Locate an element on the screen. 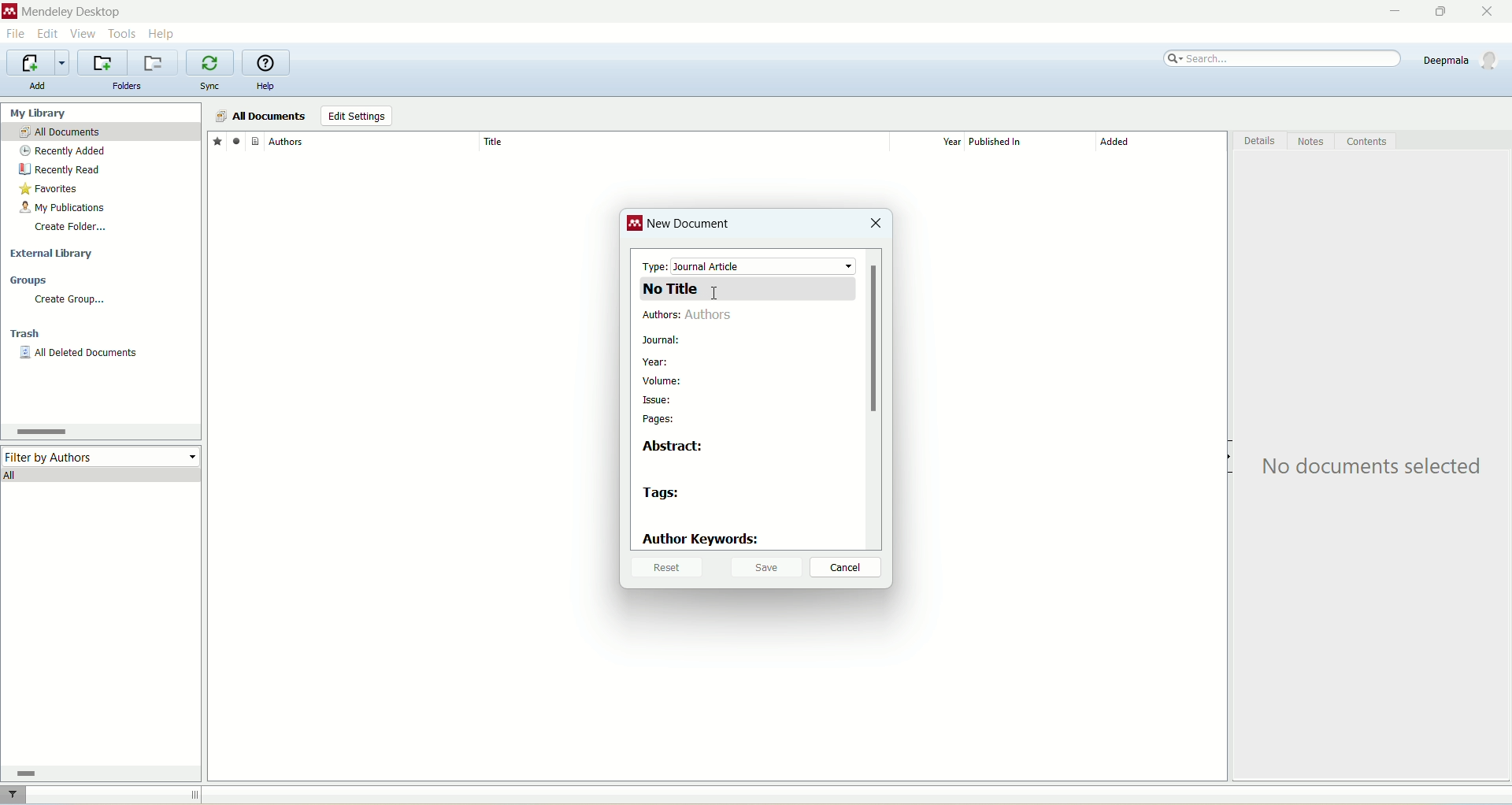  pages is located at coordinates (661, 420).